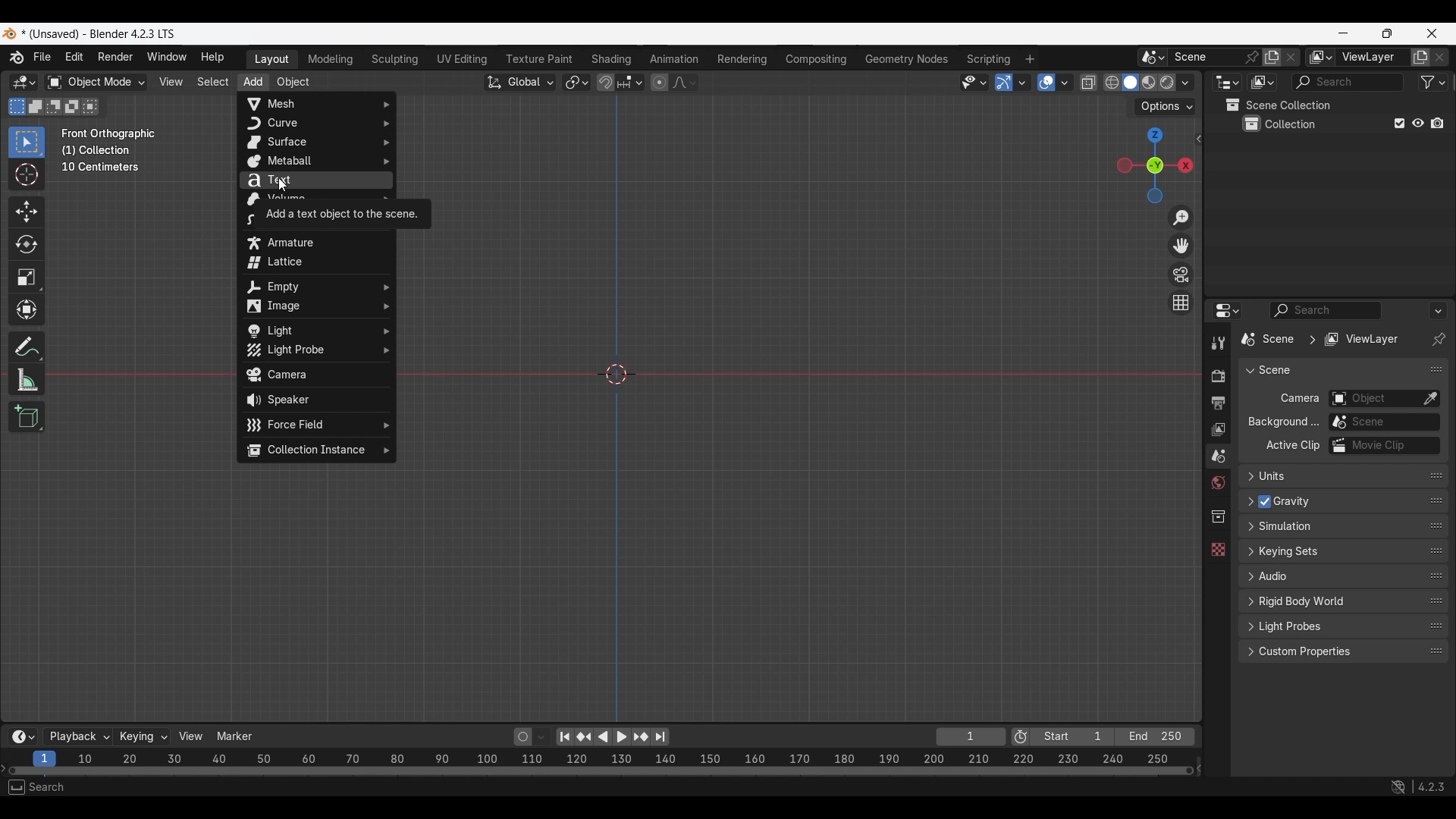 The width and height of the screenshot is (1456, 819). I want to click on Final frame of the playback rendering range, so click(1112, 737).